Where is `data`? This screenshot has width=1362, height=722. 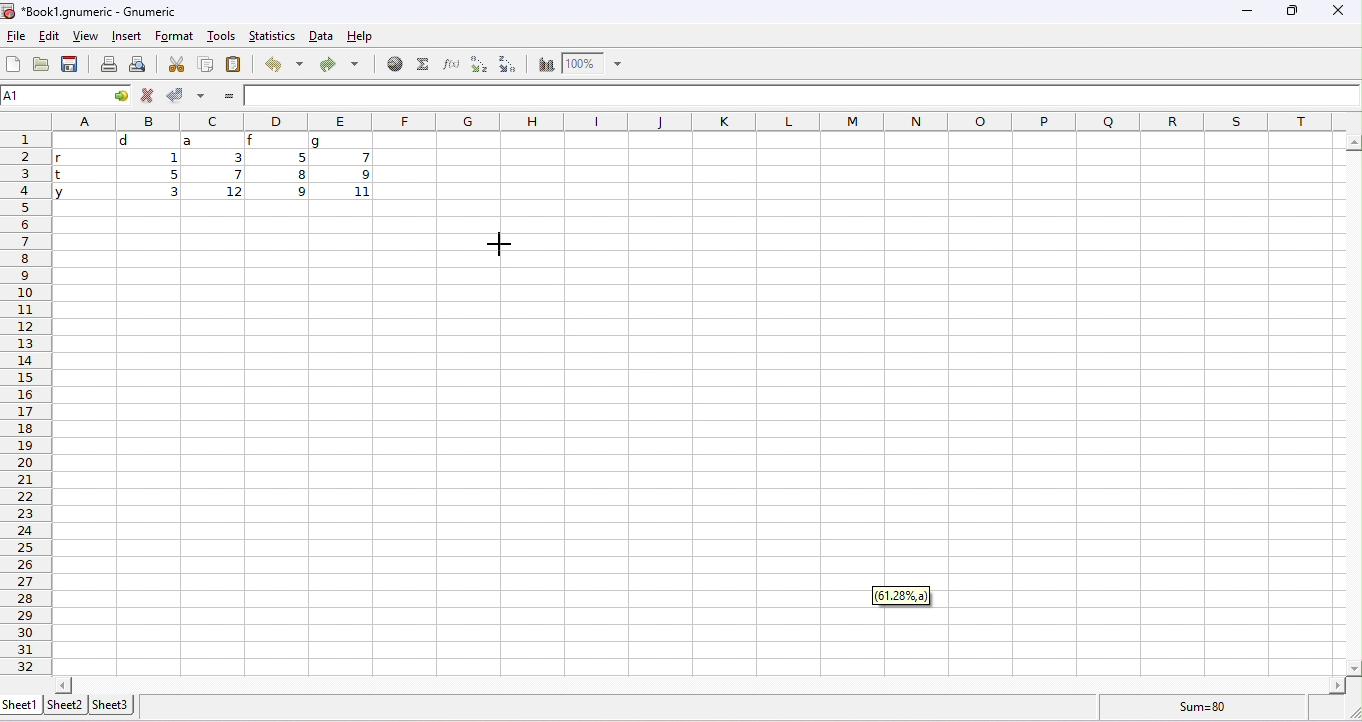
data is located at coordinates (320, 36).